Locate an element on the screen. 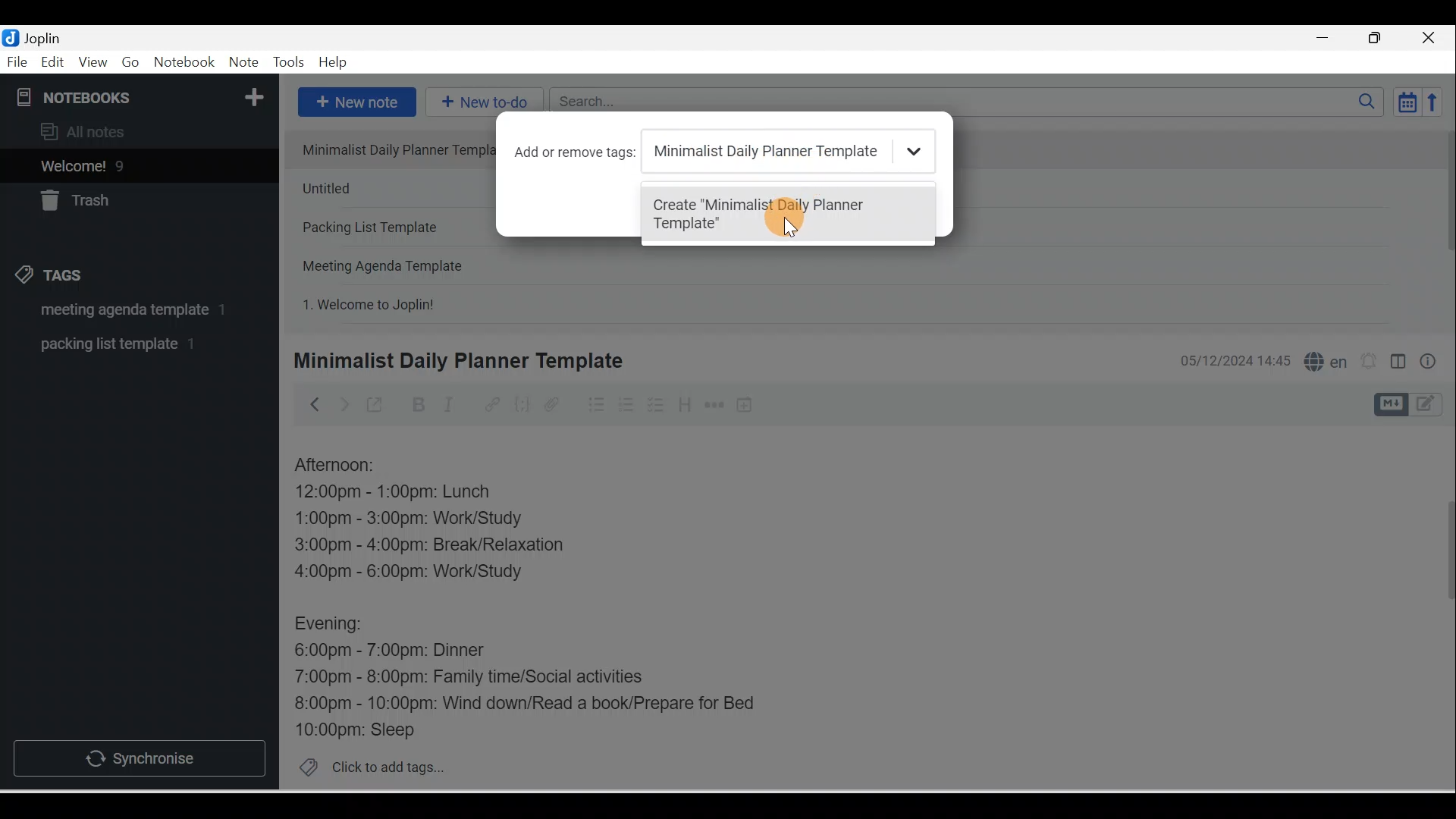 The image size is (1456, 819). Click to add tags is located at coordinates (366, 765).